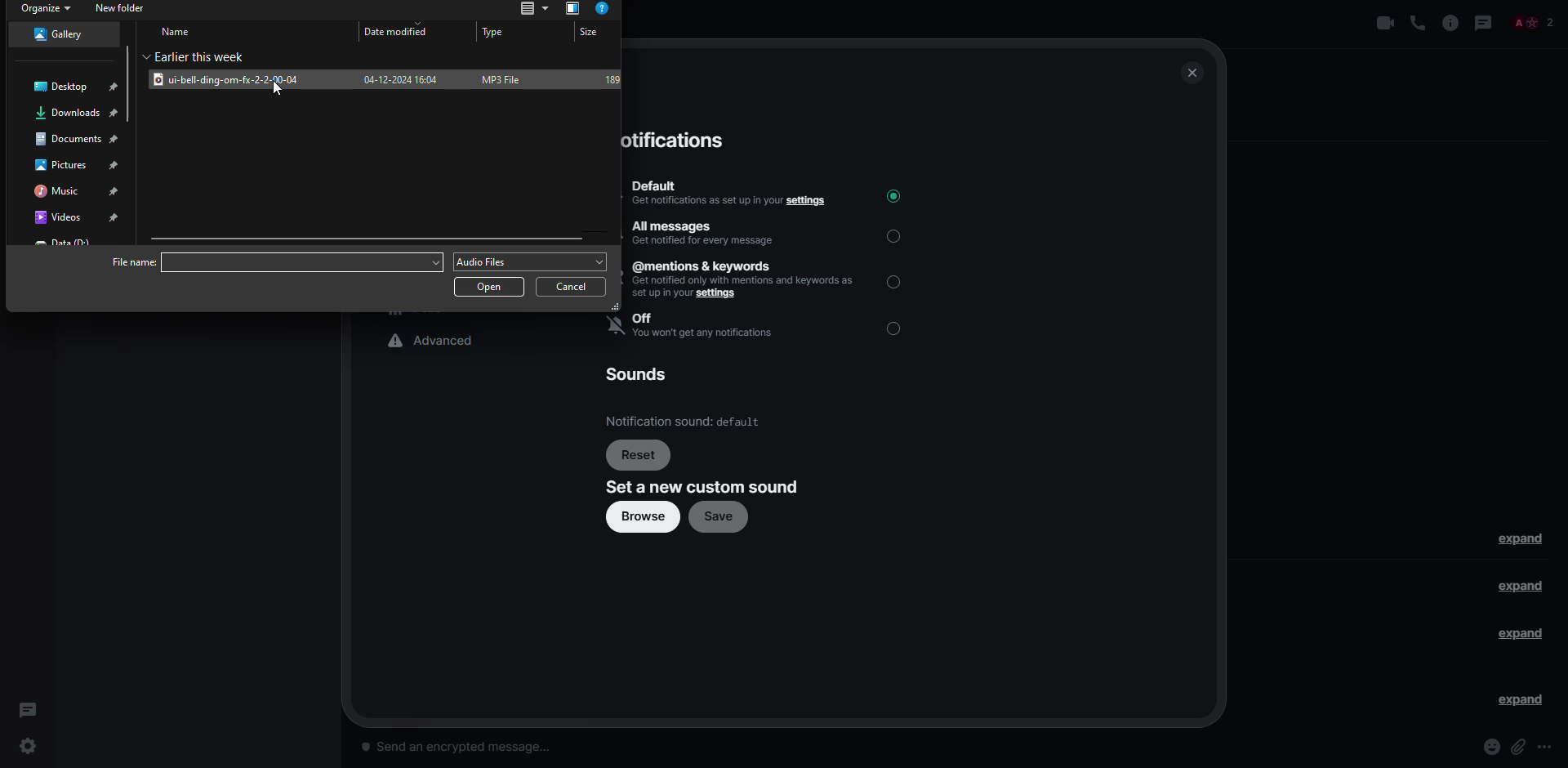 This screenshot has height=768, width=1568. What do you see at coordinates (277, 87) in the screenshot?
I see `cursor` at bounding box center [277, 87].